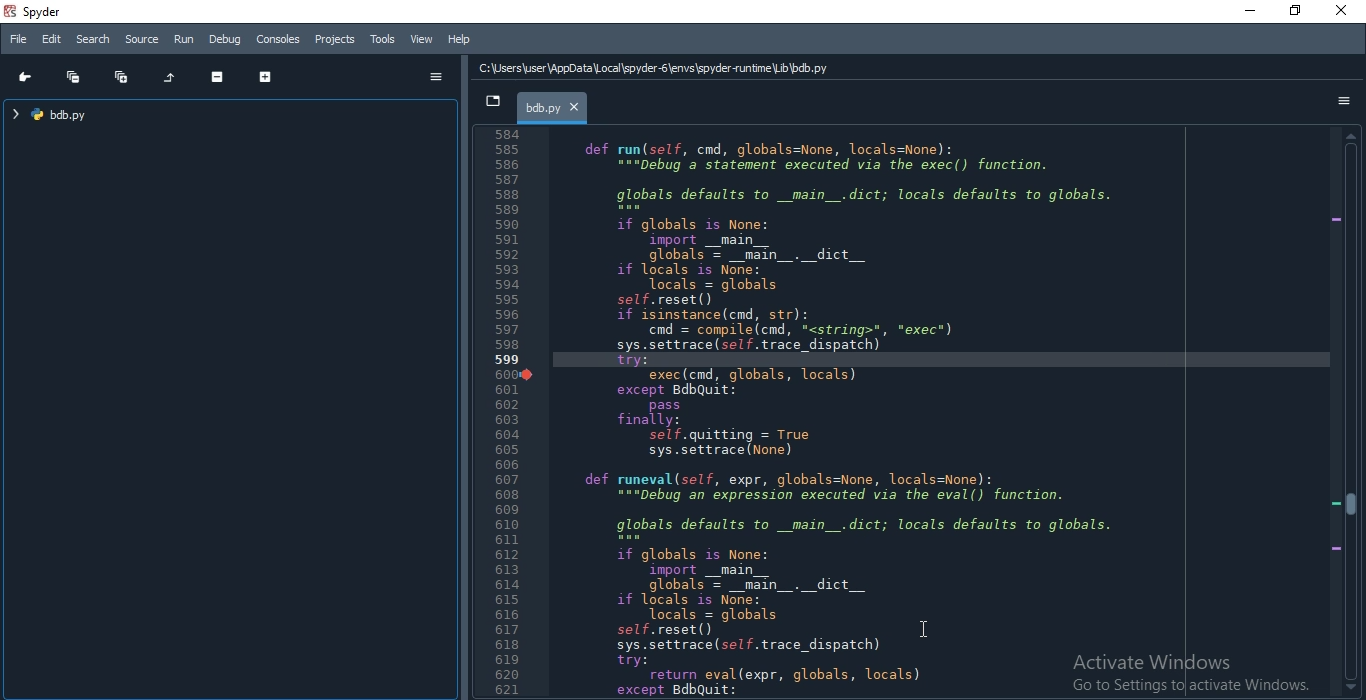 This screenshot has height=700, width=1366. What do you see at coordinates (653, 67) in the screenshot?
I see `C:\Users\user\AppData Local \spyder-6\envs\spyder-runtime\Lib\bdb.py` at bounding box center [653, 67].